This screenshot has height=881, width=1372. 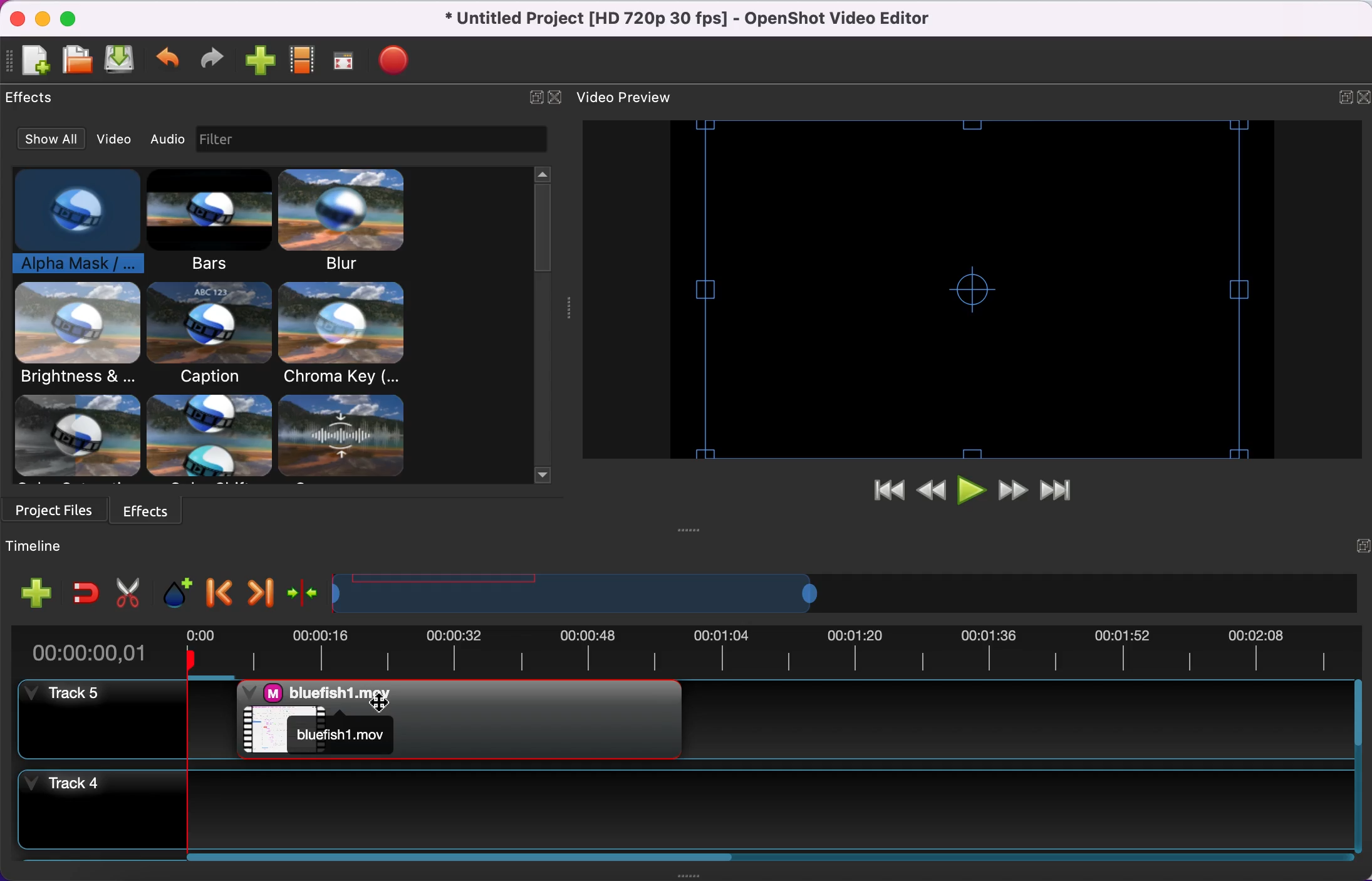 I want to click on fast forward, so click(x=1014, y=489).